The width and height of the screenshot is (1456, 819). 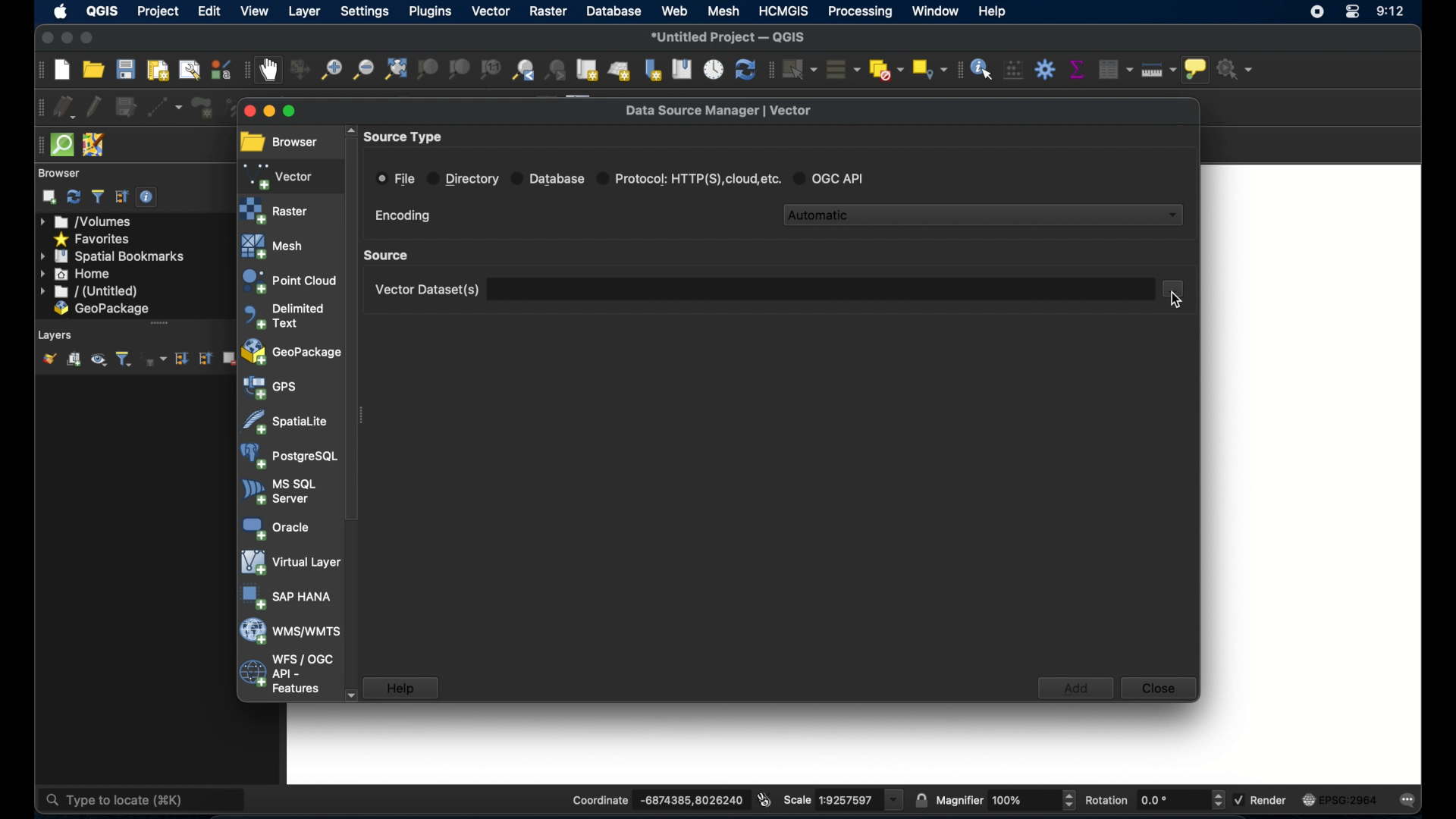 I want to click on zoom in, so click(x=330, y=71).